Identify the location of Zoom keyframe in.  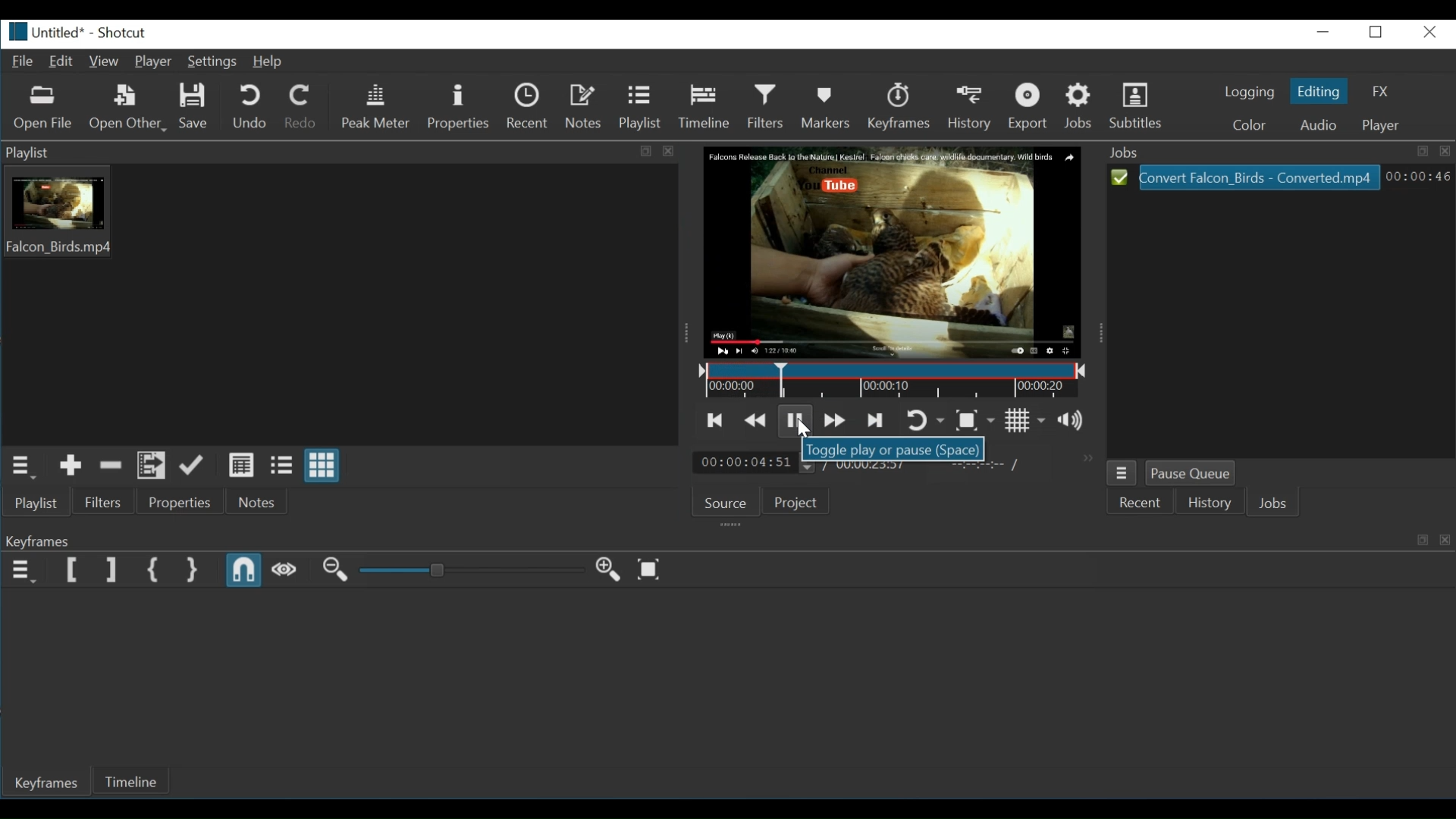
(607, 569).